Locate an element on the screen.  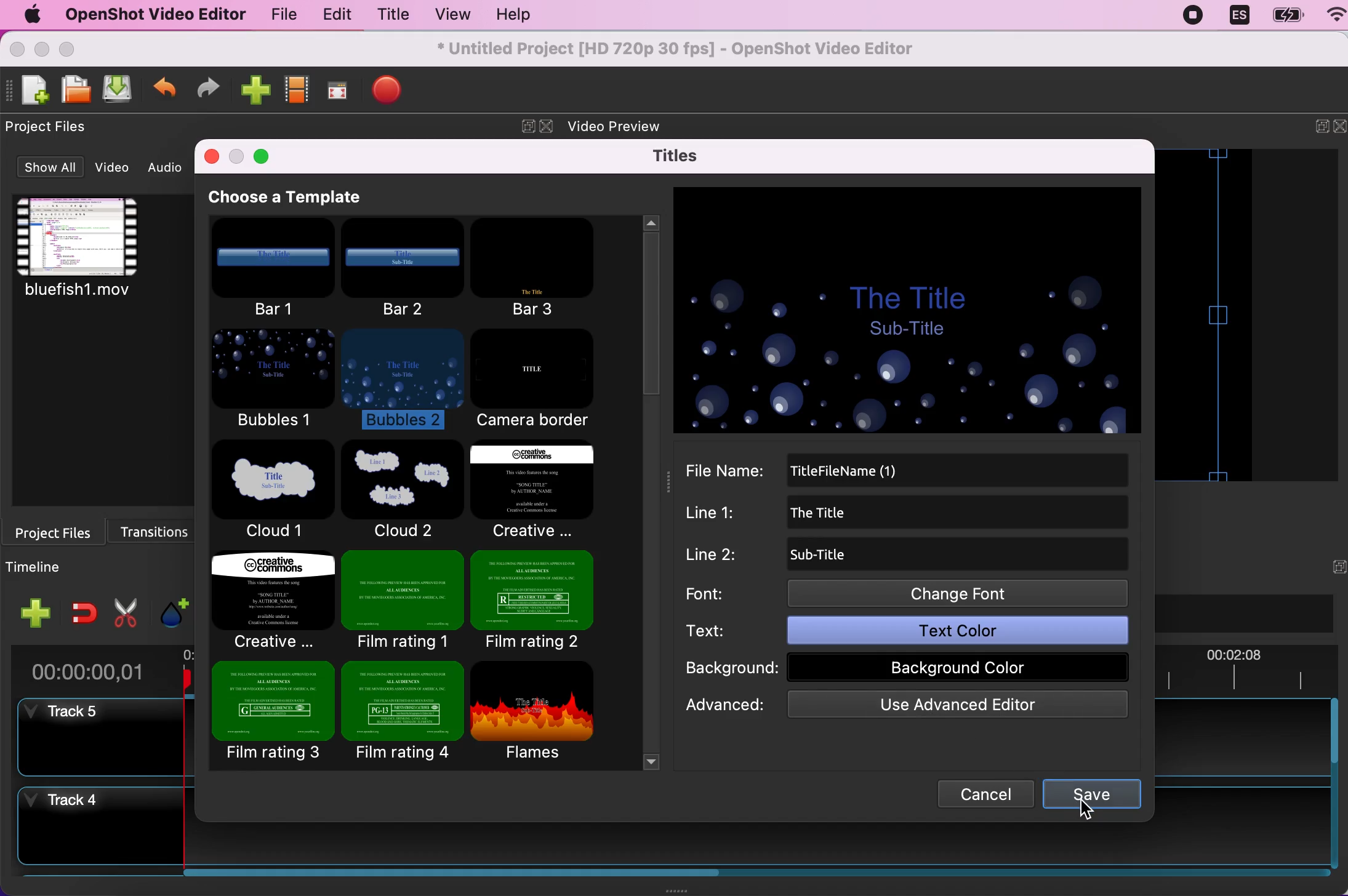
expand/hide is located at coordinates (524, 127).